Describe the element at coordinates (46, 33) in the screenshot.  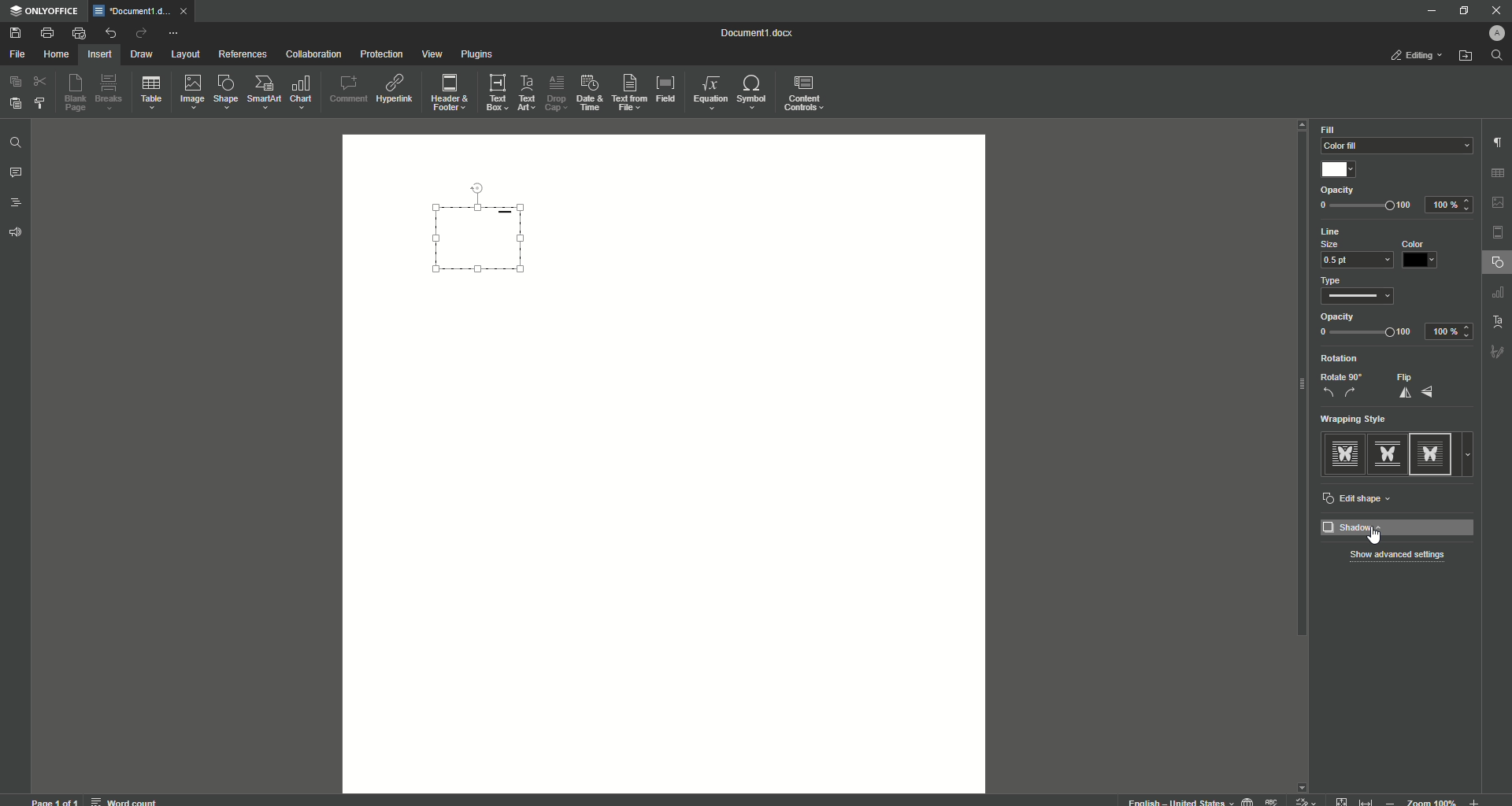
I see `Print` at that location.